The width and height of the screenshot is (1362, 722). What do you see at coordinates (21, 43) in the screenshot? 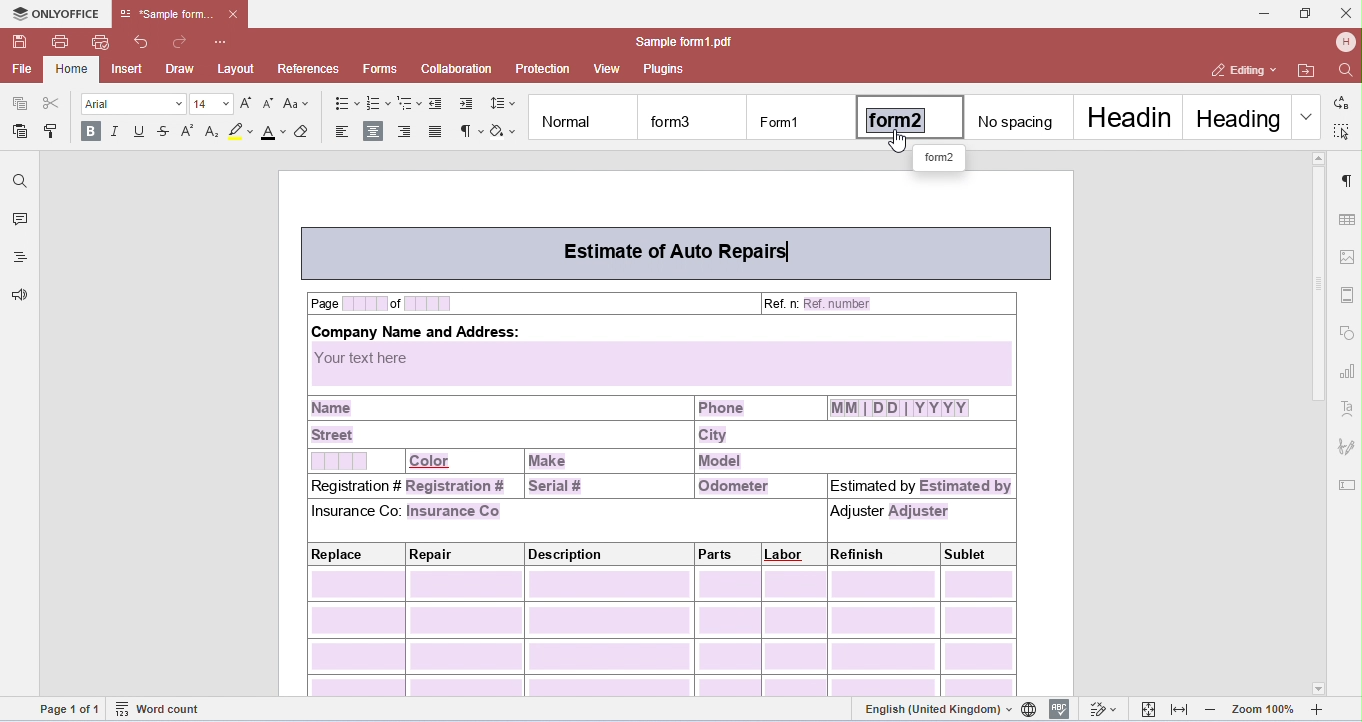
I see `save` at bounding box center [21, 43].